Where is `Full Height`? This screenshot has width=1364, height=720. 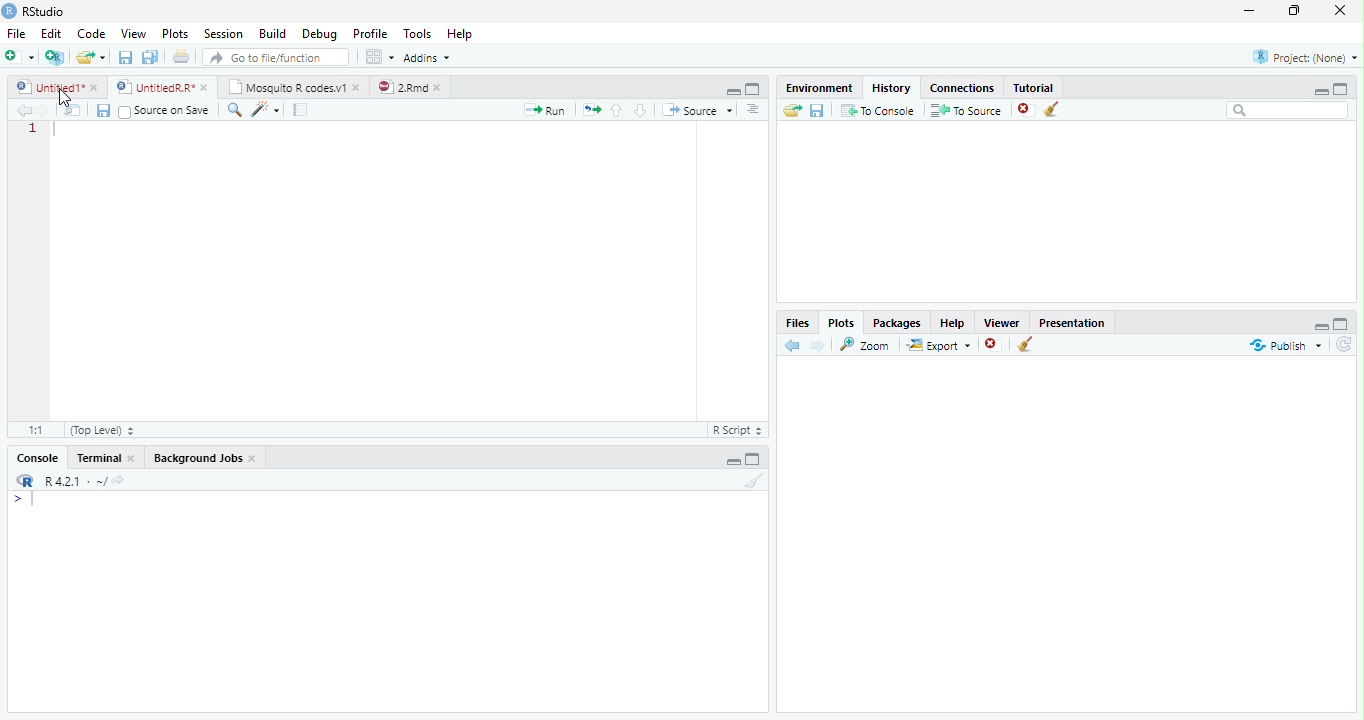
Full Height is located at coordinates (1342, 87).